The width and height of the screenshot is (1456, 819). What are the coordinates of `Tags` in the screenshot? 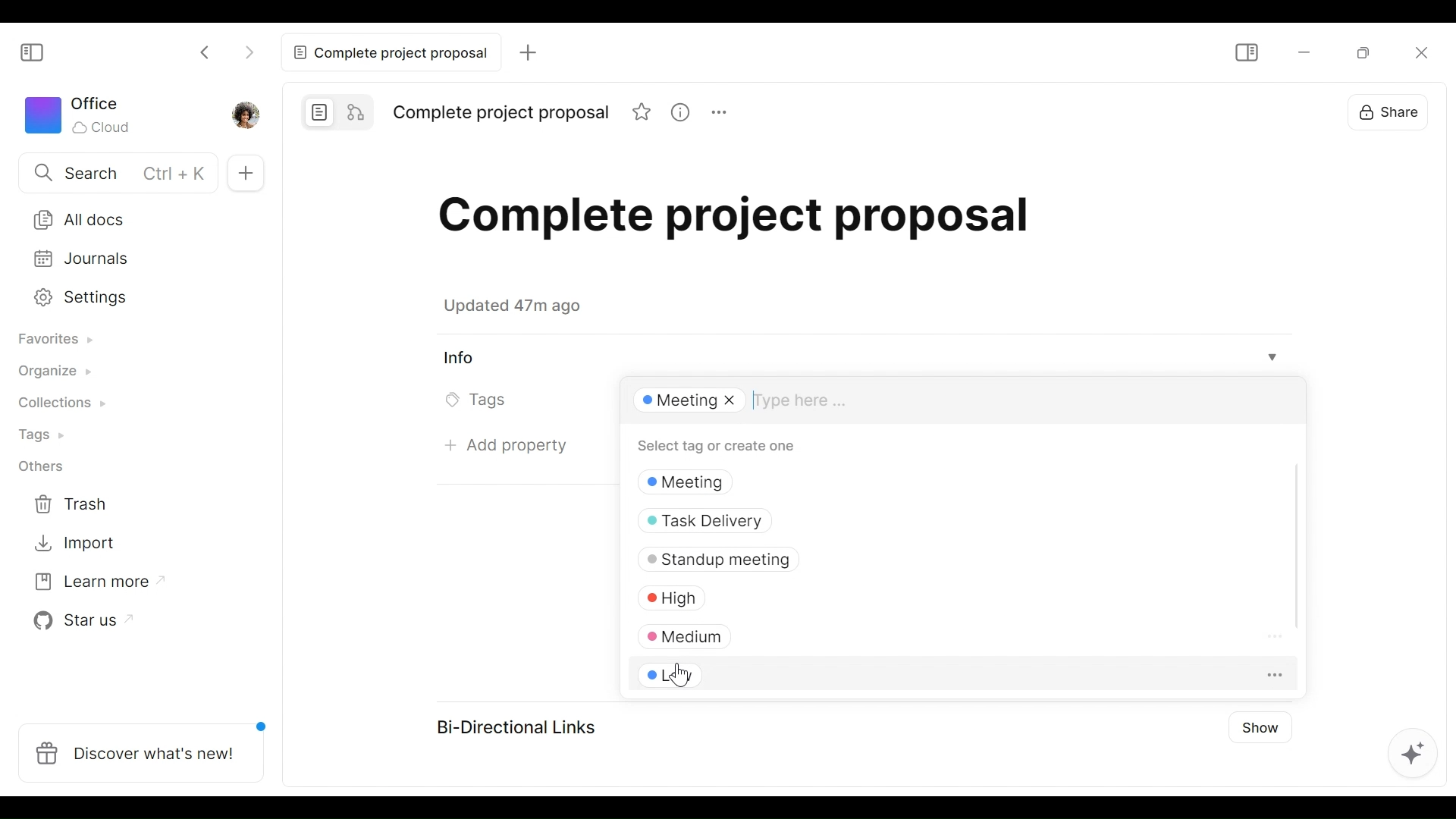 It's located at (479, 402).